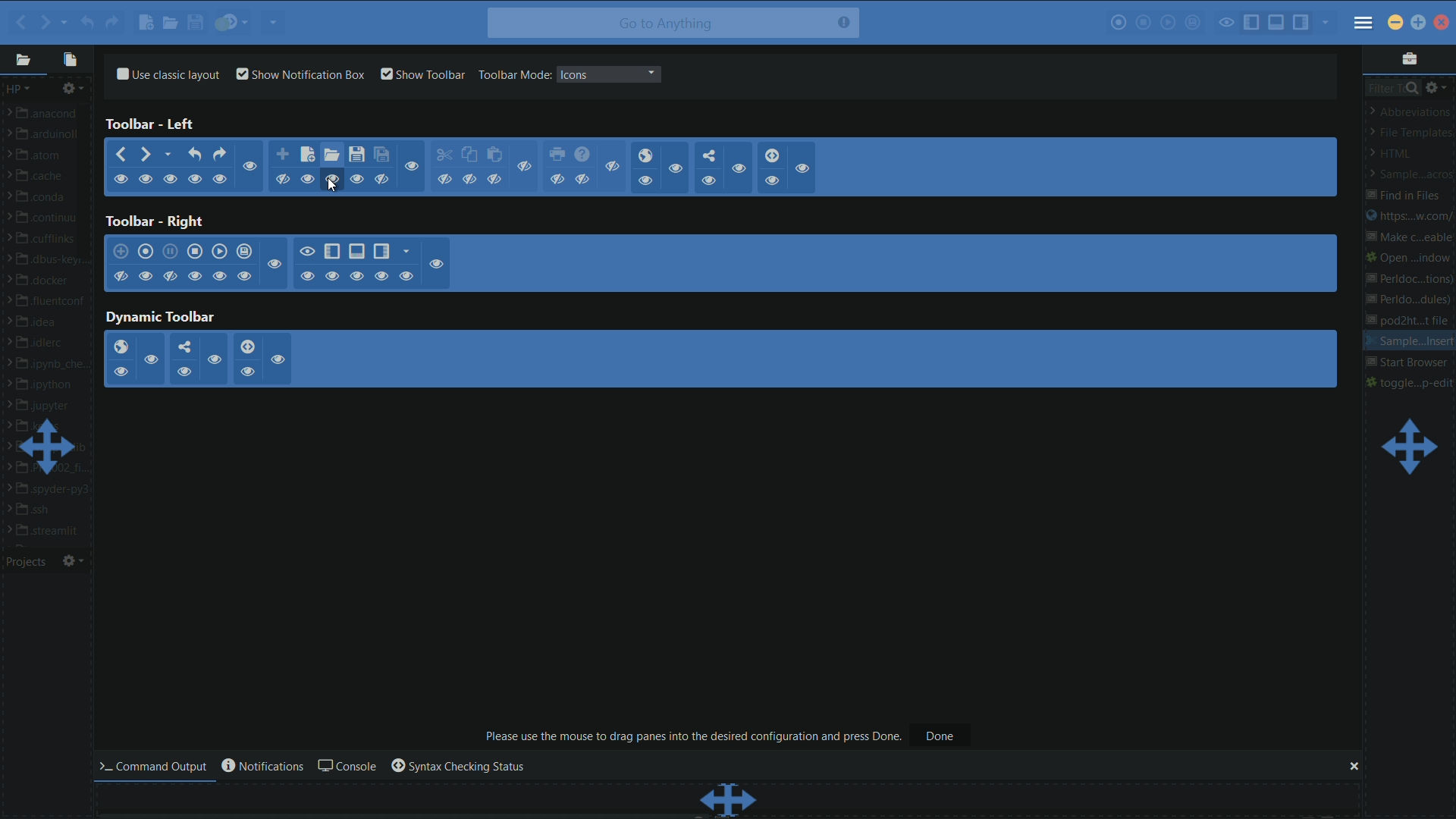  What do you see at coordinates (184, 370) in the screenshot?
I see `hide/show` at bounding box center [184, 370].